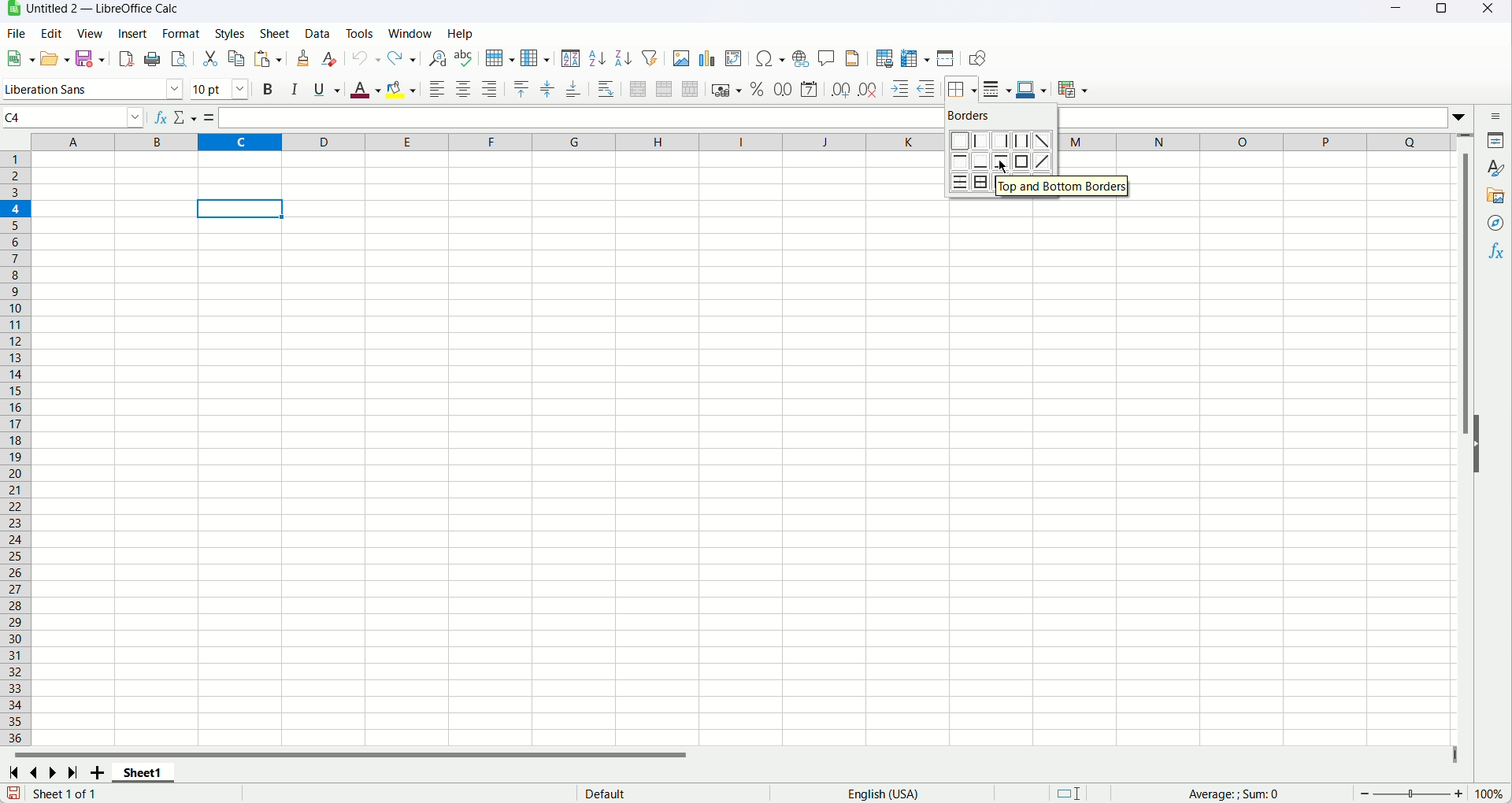 The height and width of the screenshot is (803, 1512). Describe the element at coordinates (1002, 140) in the screenshot. I see `Right Border` at that location.